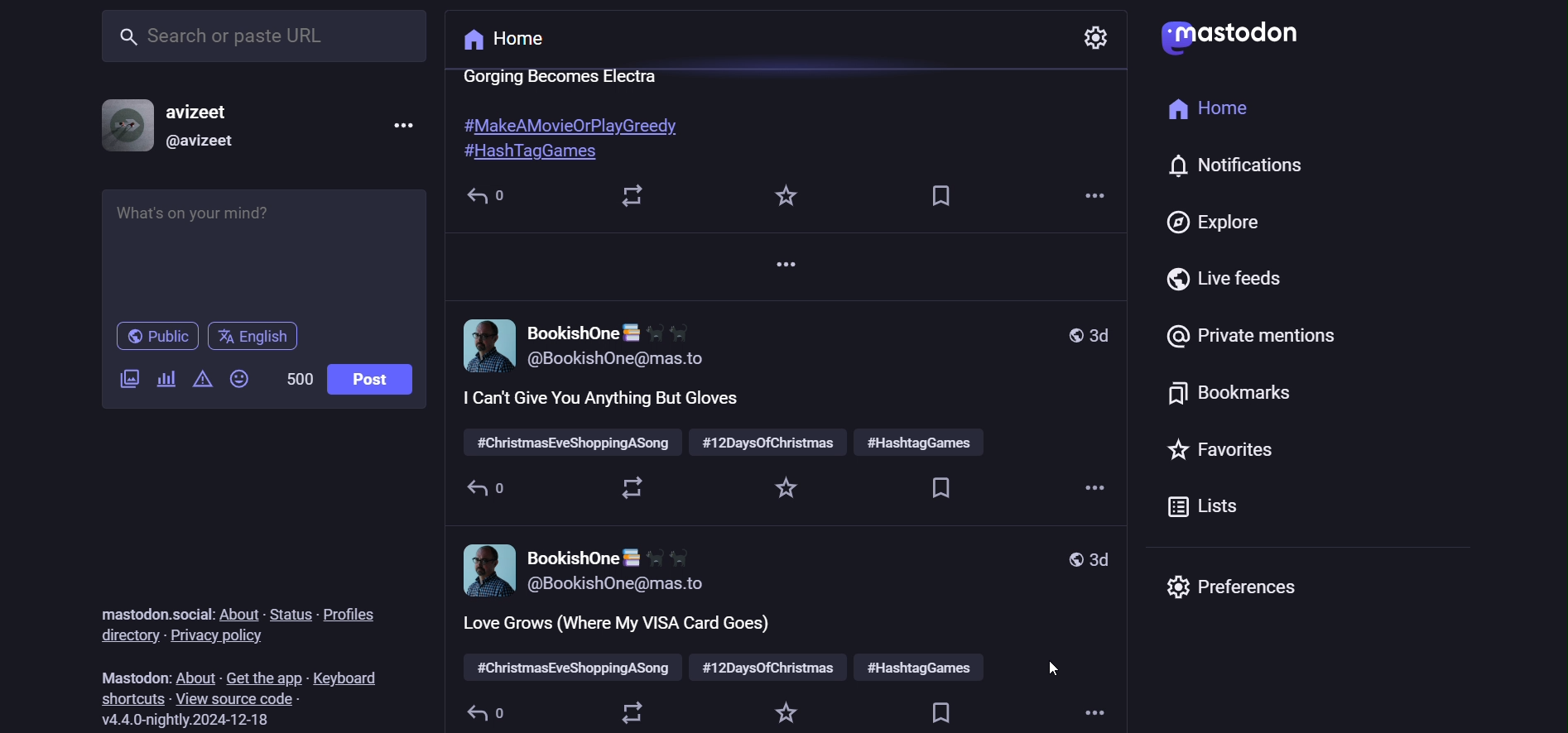  What do you see at coordinates (1080, 560) in the screenshot?
I see `3d` at bounding box center [1080, 560].